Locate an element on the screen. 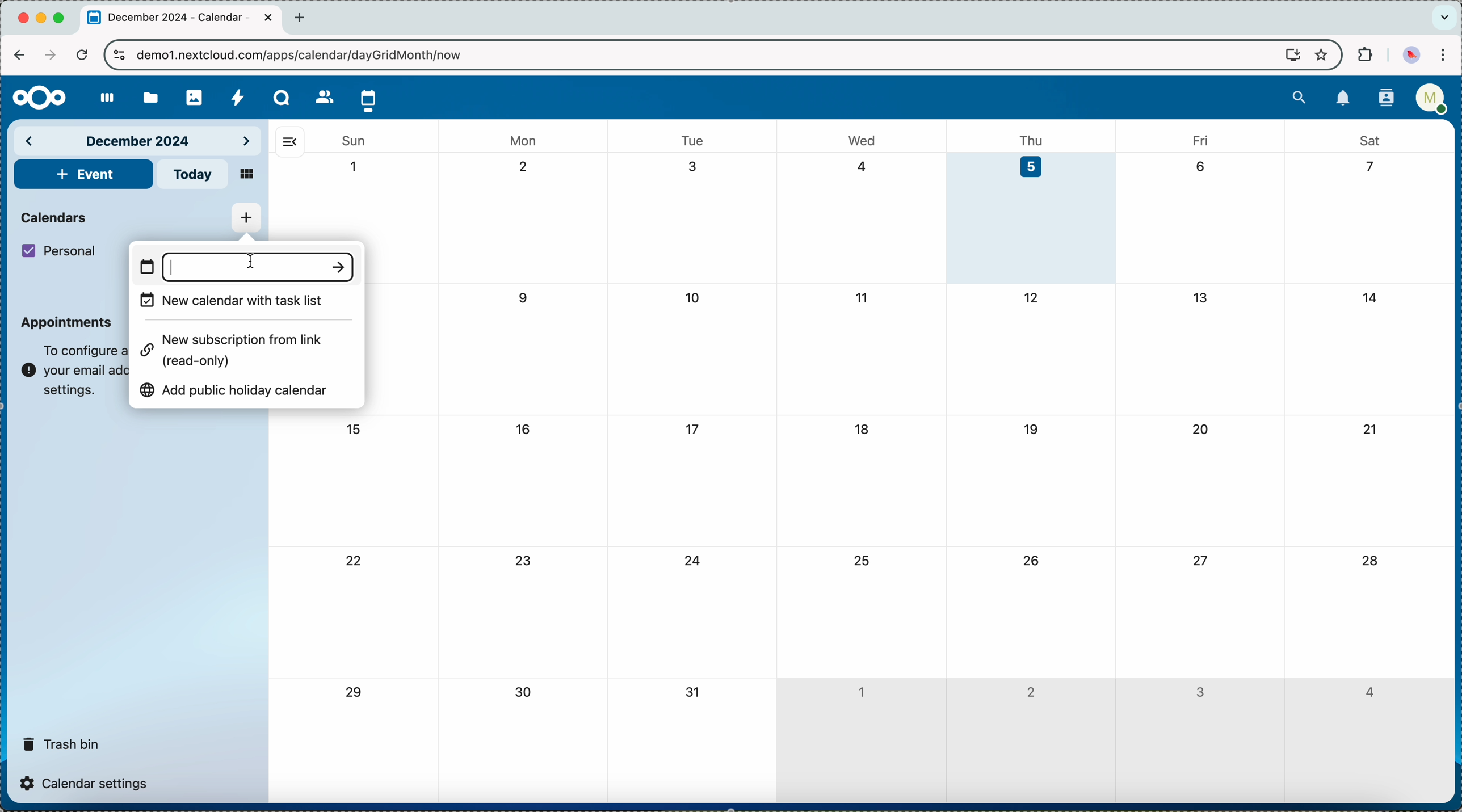 The height and width of the screenshot is (812, 1462). 30 is located at coordinates (527, 694).